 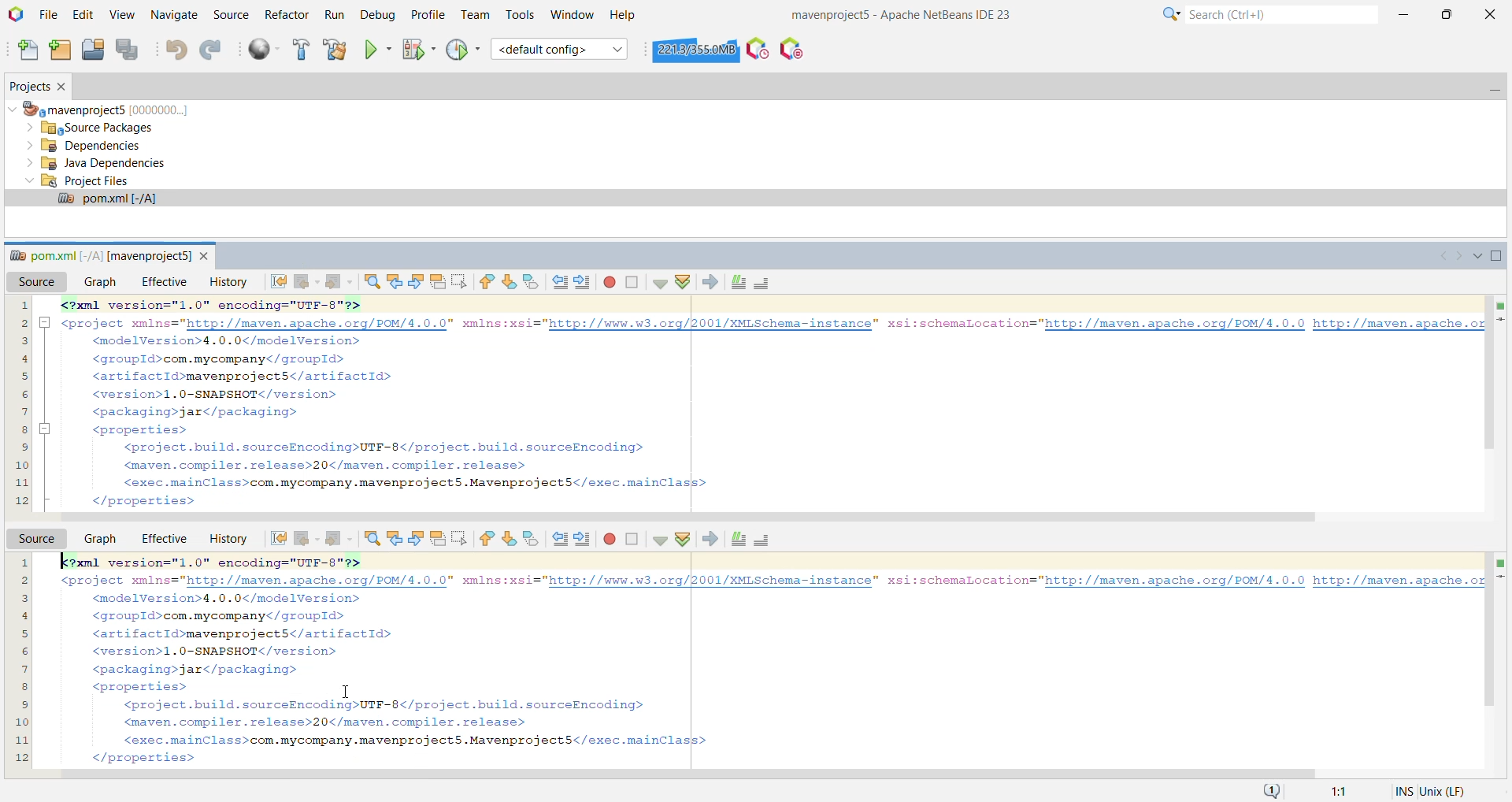 I want to click on New Project, so click(x=61, y=50).